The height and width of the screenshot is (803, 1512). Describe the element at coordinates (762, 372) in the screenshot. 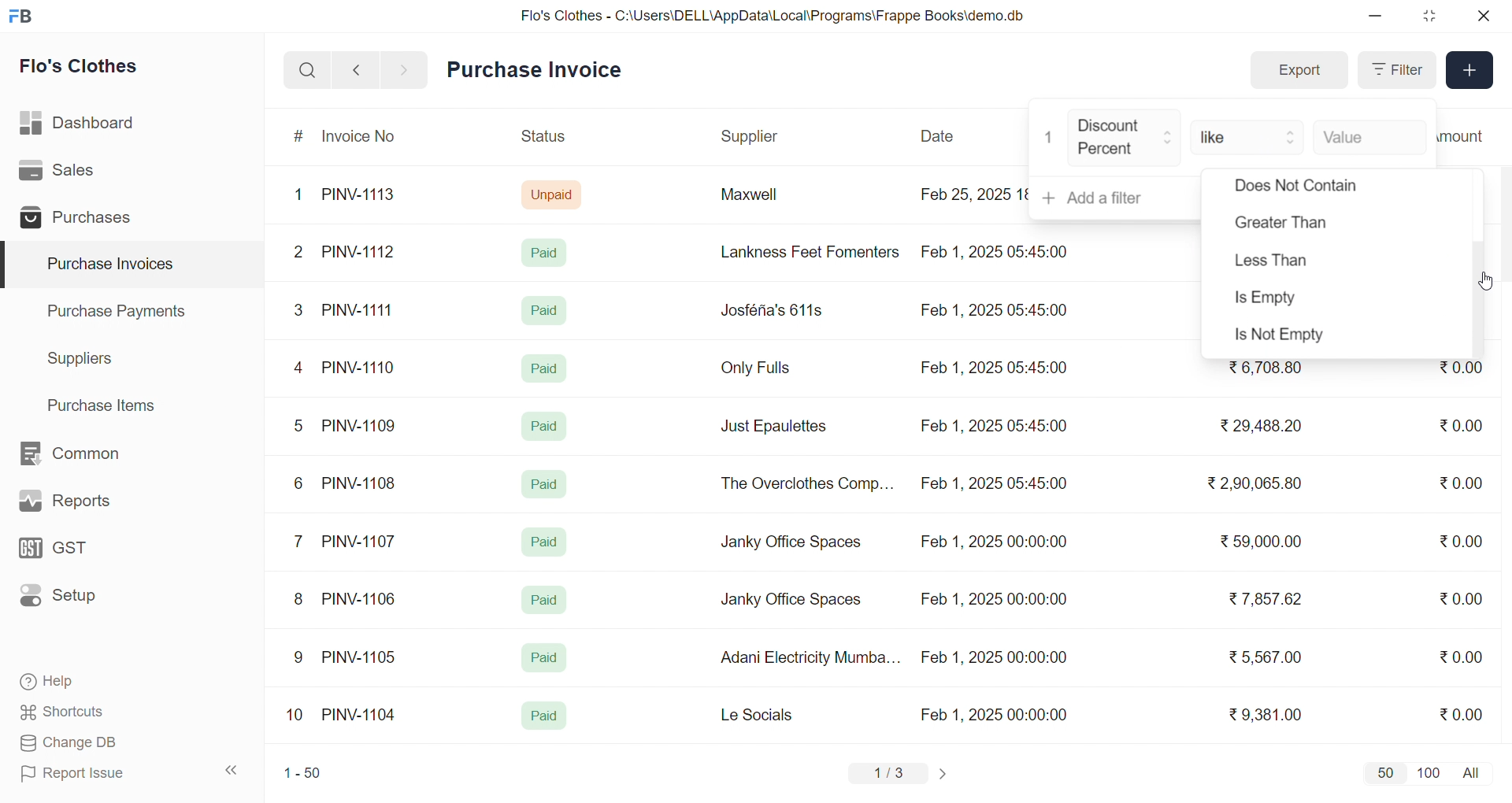

I see `Only Fulls` at that location.